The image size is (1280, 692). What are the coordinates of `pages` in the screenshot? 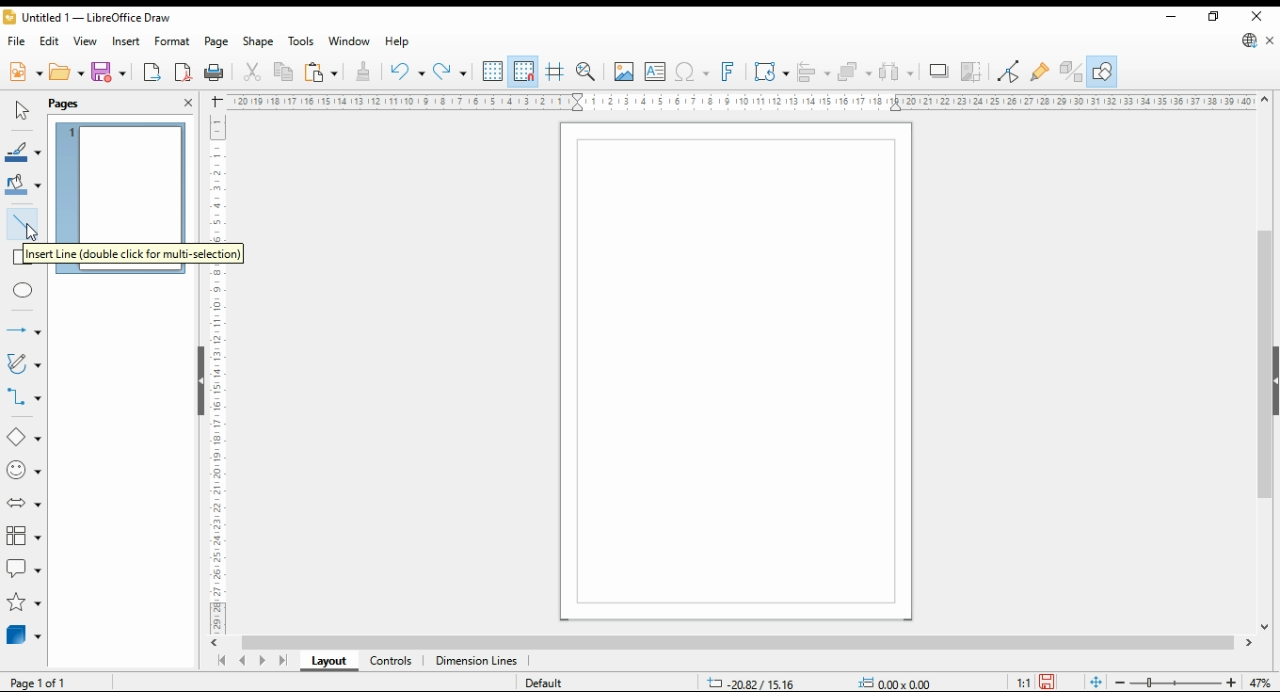 It's located at (73, 103).